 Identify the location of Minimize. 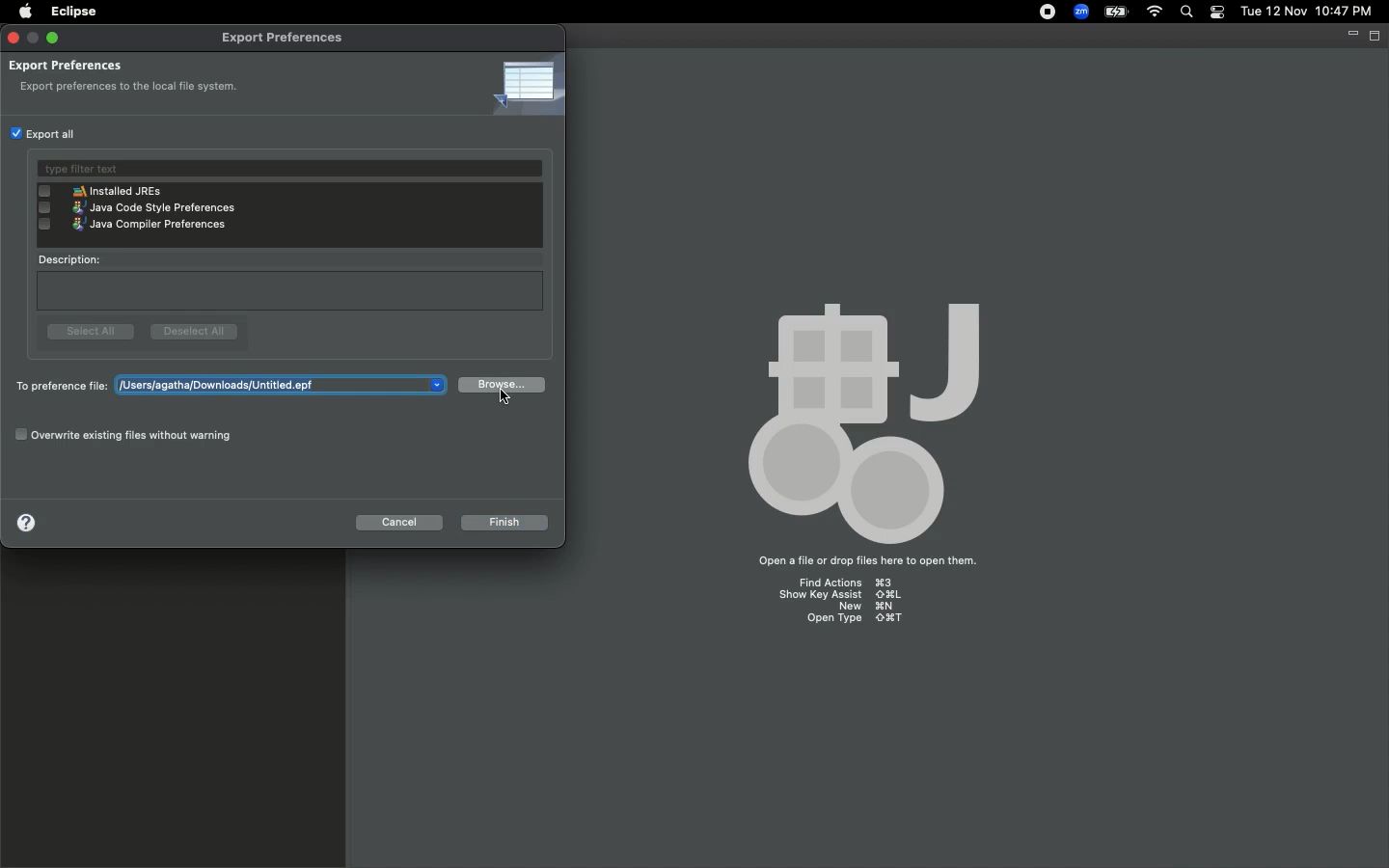
(1349, 34).